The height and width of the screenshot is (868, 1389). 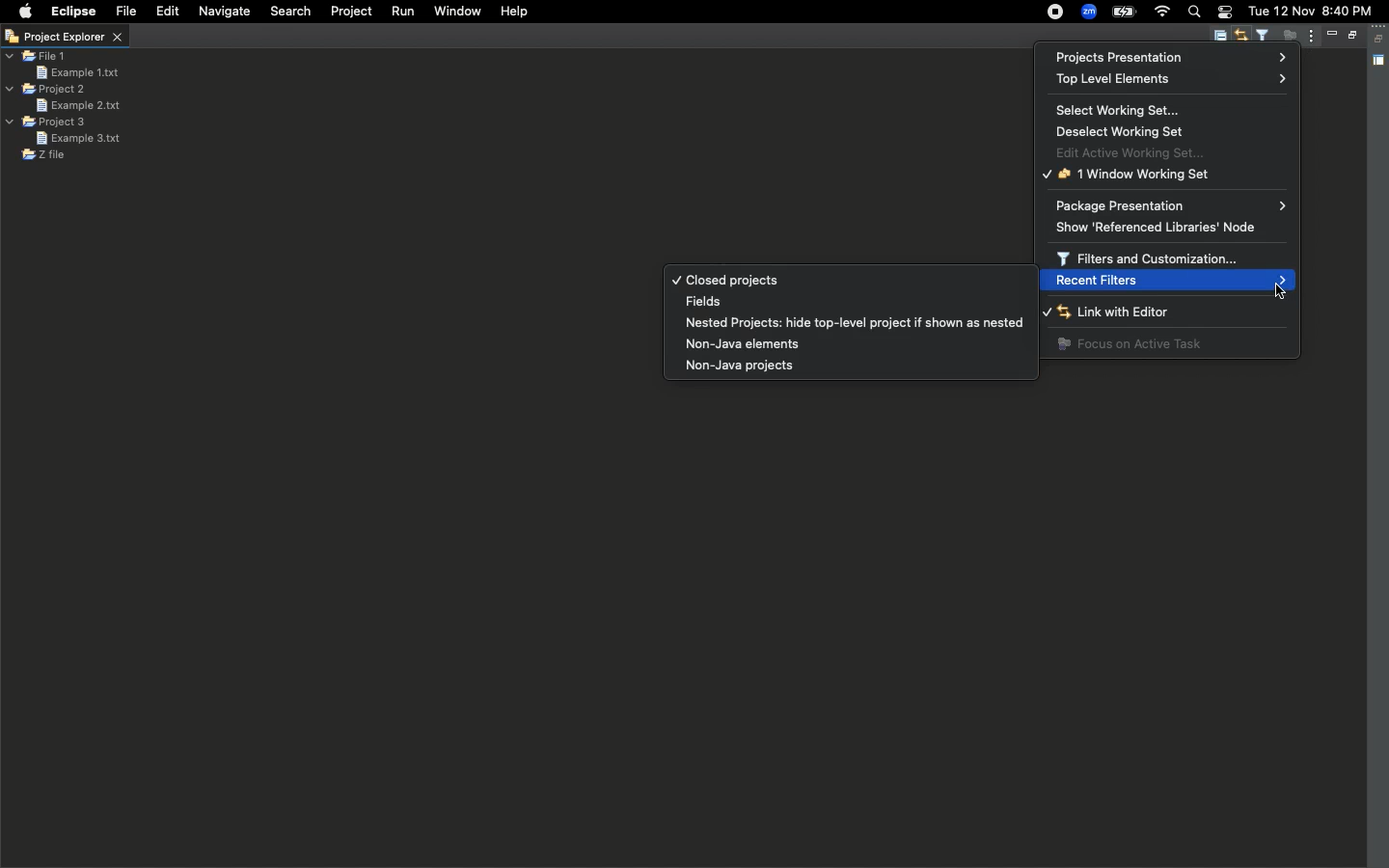 I want to click on Fields, so click(x=715, y=303).